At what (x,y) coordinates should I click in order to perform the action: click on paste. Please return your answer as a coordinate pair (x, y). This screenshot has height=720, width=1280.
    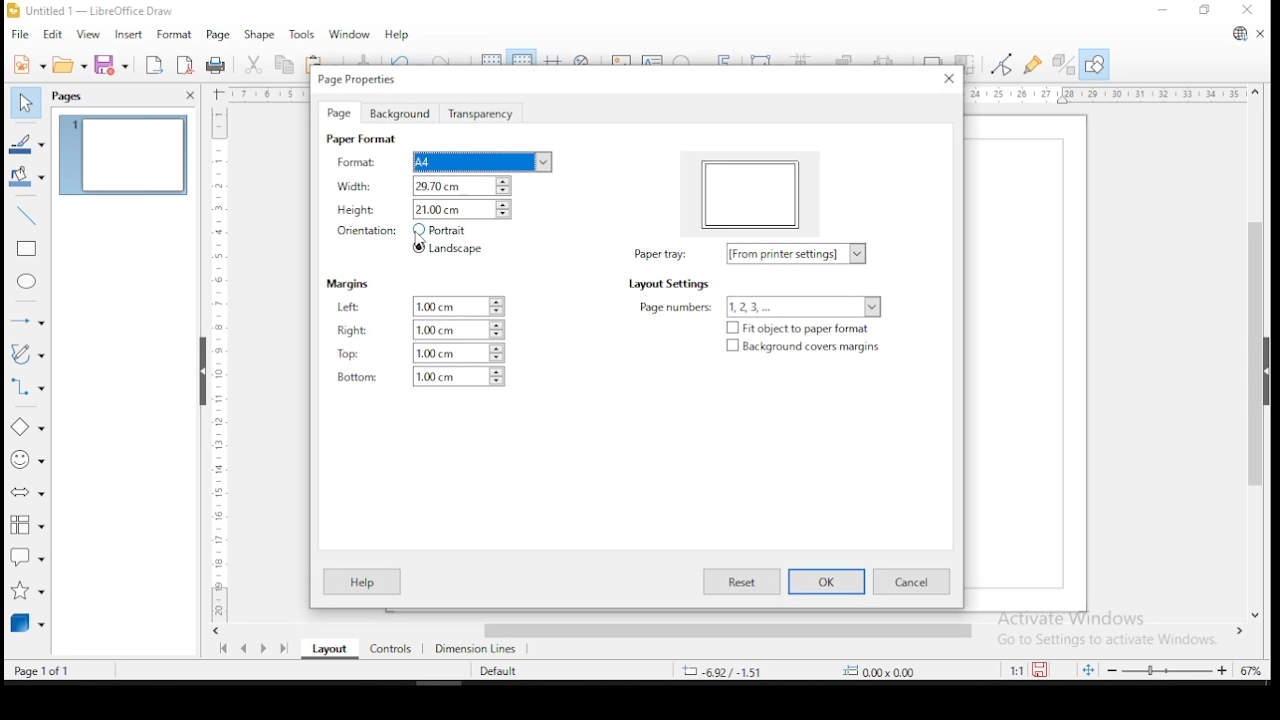
    Looking at the image, I should click on (320, 60).